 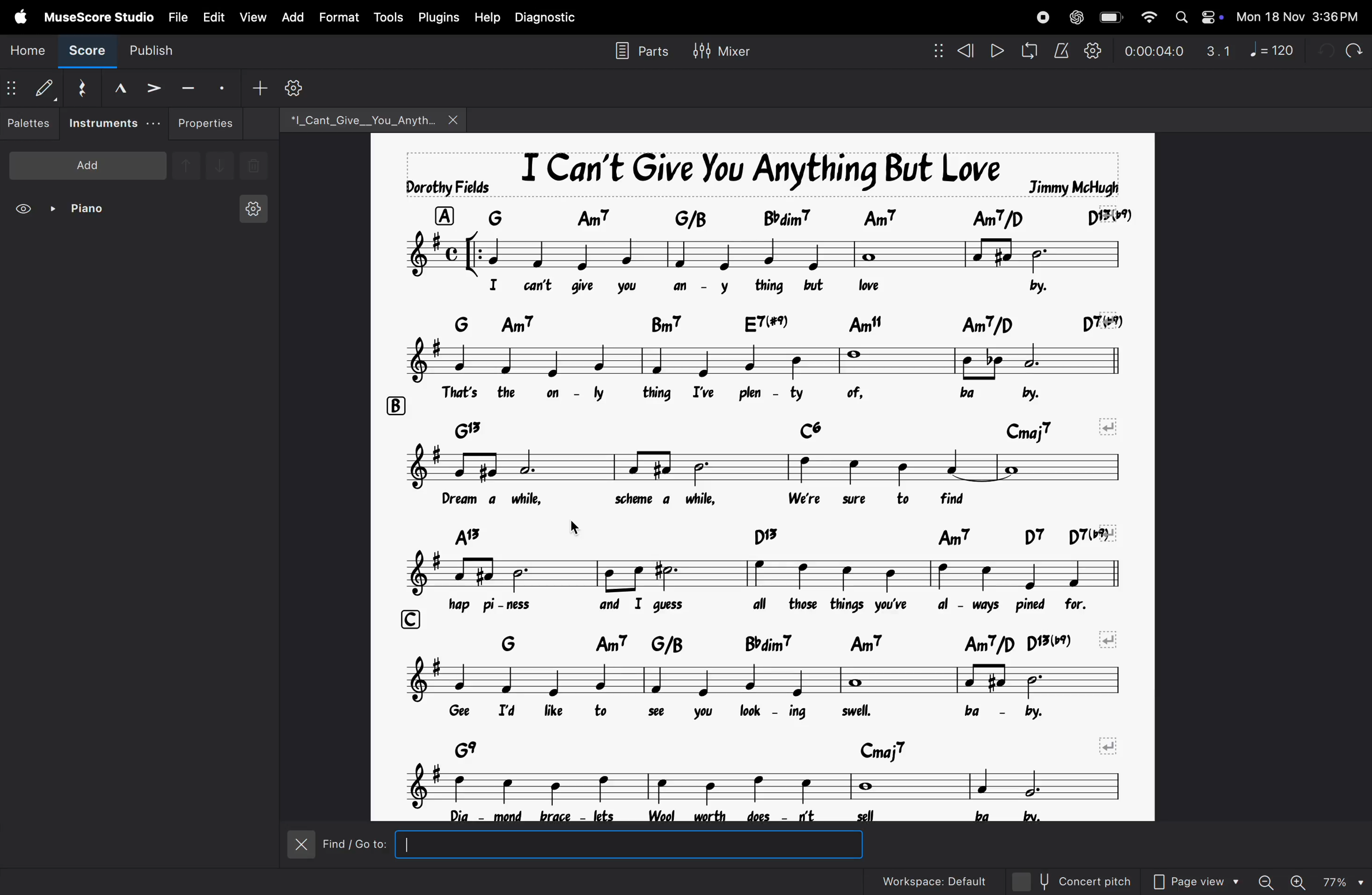 What do you see at coordinates (782, 535) in the screenshot?
I see `chord symbols` at bounding box center [782, 535].